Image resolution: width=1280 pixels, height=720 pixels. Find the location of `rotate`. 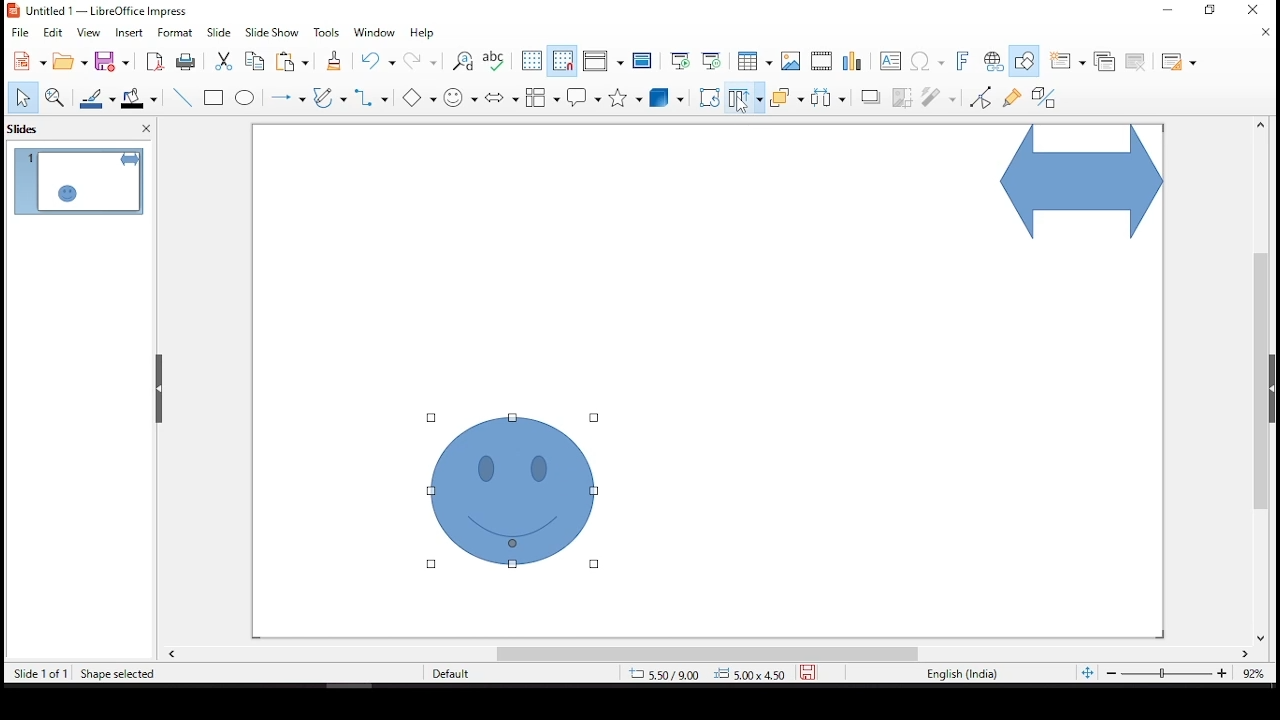

rotate is located at coordinates (709, 97).